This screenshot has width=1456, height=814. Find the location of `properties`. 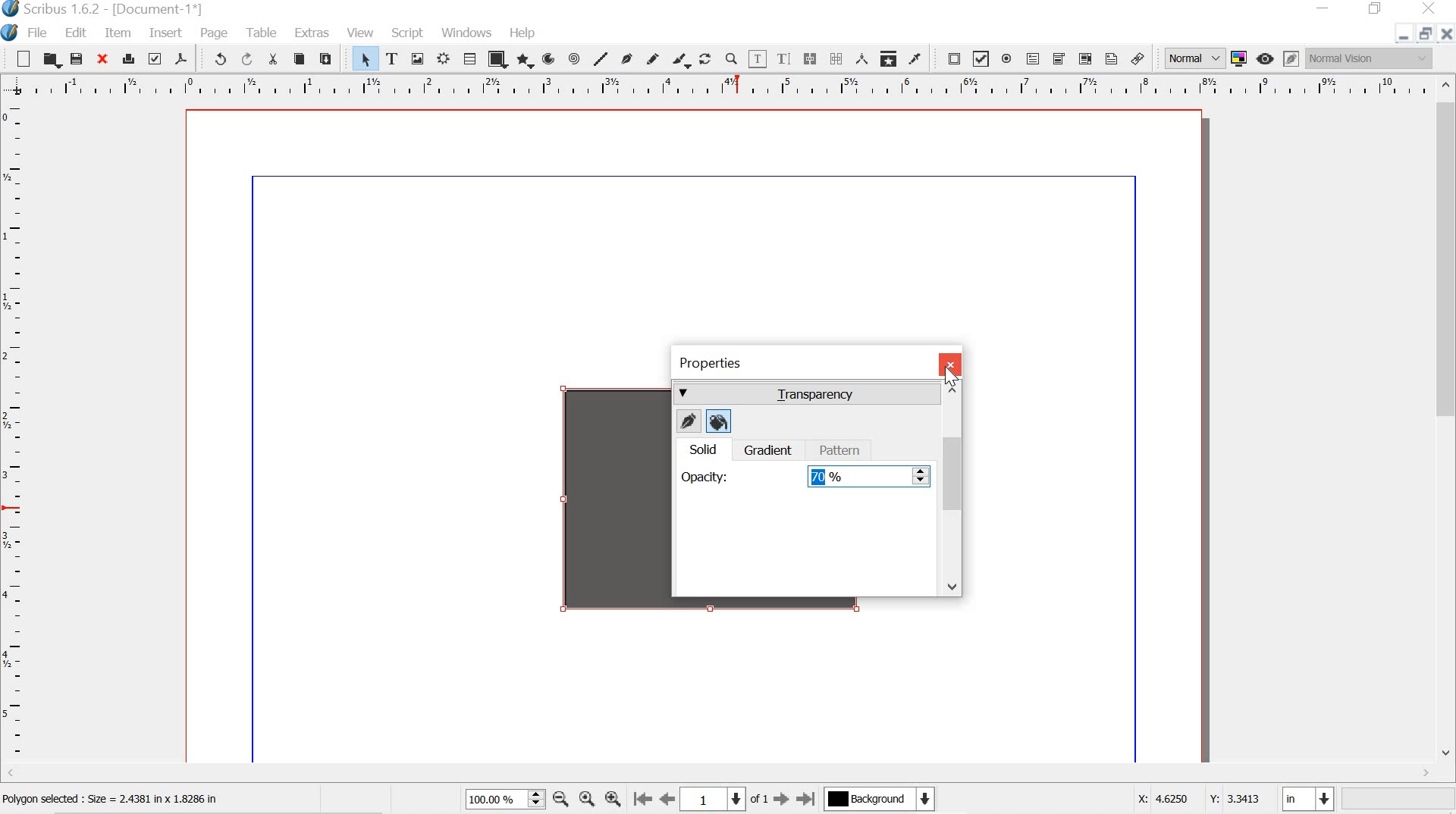

properties is located at coordinates (710, 365).